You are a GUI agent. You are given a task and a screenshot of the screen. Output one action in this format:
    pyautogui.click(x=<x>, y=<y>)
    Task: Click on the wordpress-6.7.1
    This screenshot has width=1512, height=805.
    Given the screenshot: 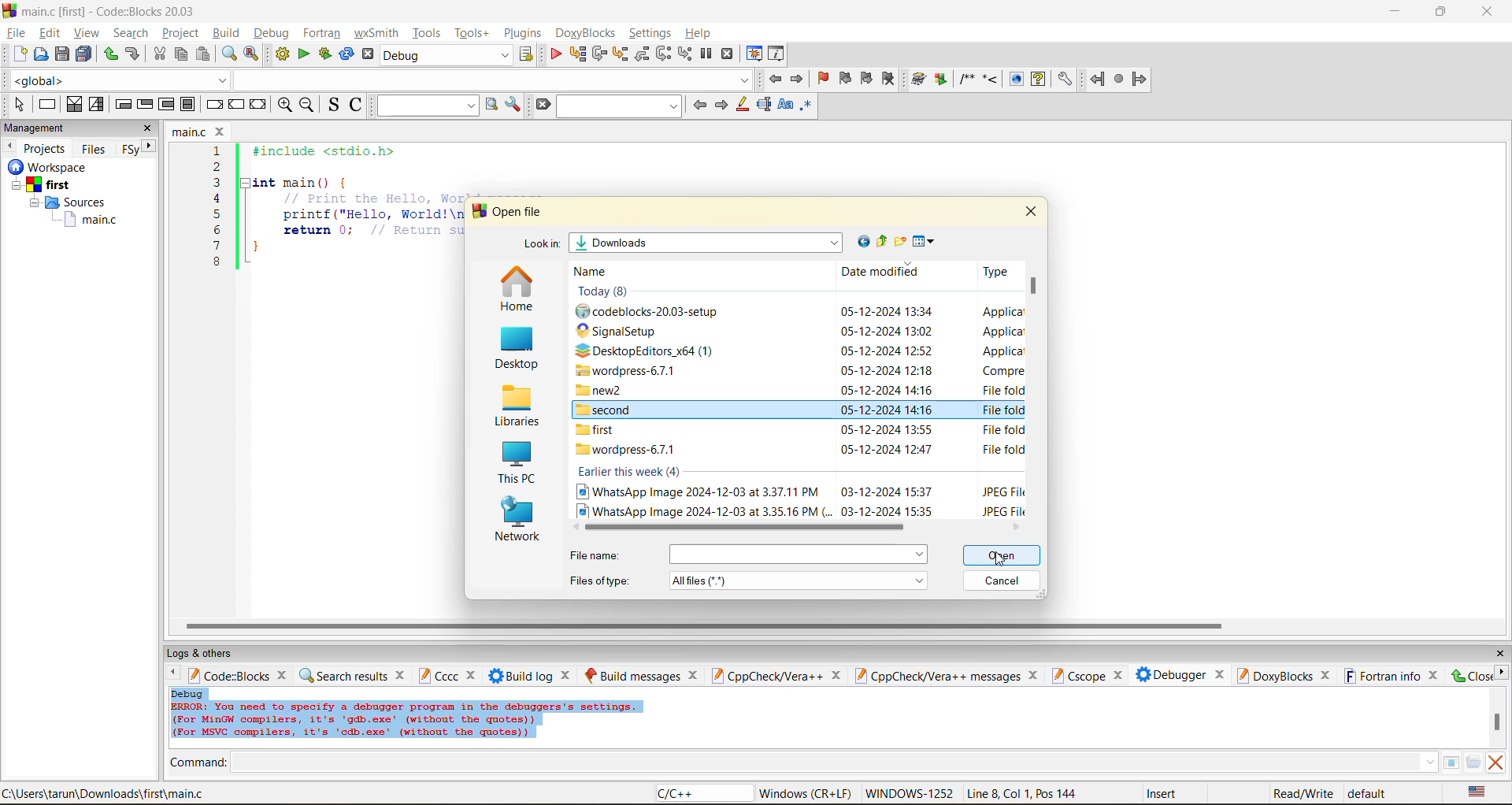 What is the action you would take?
    pyautogui.click(x=627, y=451)
    